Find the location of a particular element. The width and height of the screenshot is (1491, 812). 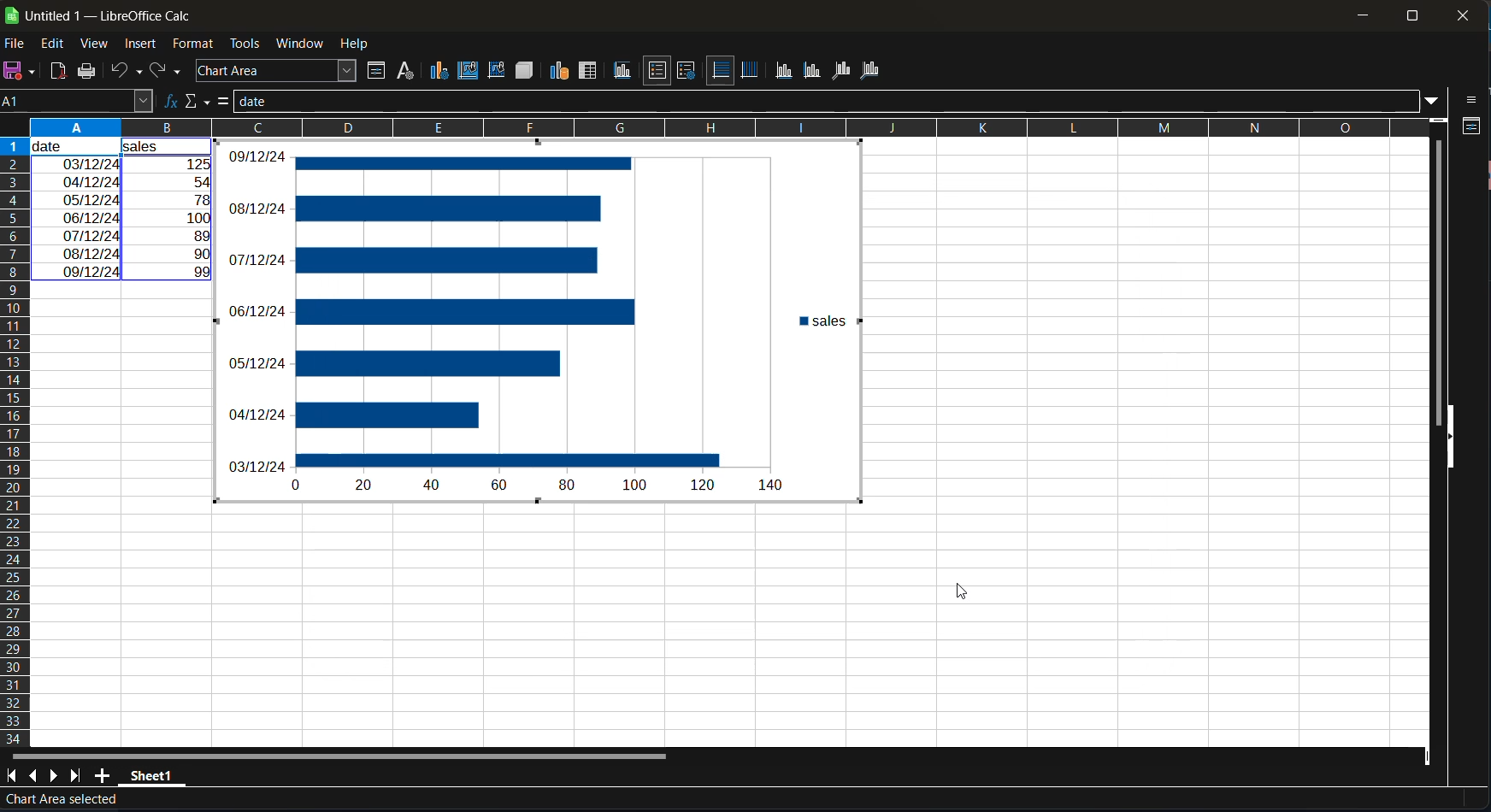

minimize is located at coordinates (1362, 16).